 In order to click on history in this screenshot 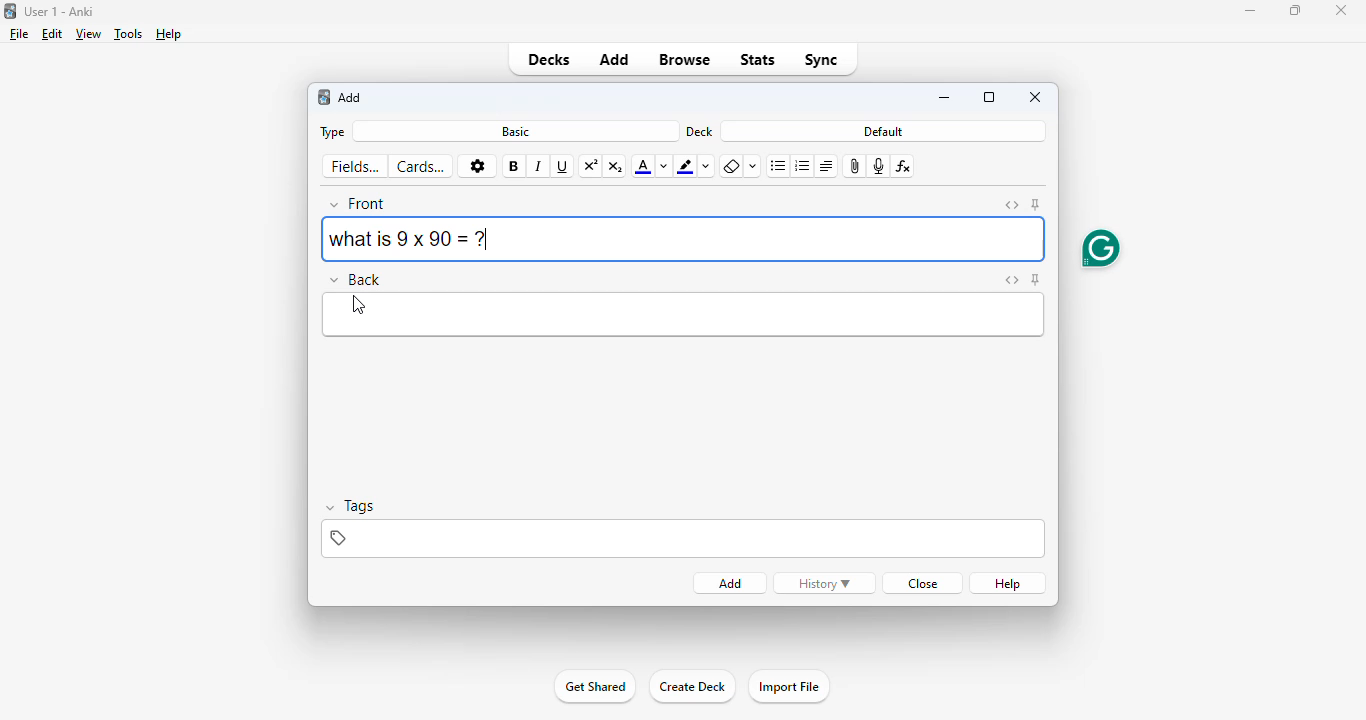, I will do `click(824, 583)`.